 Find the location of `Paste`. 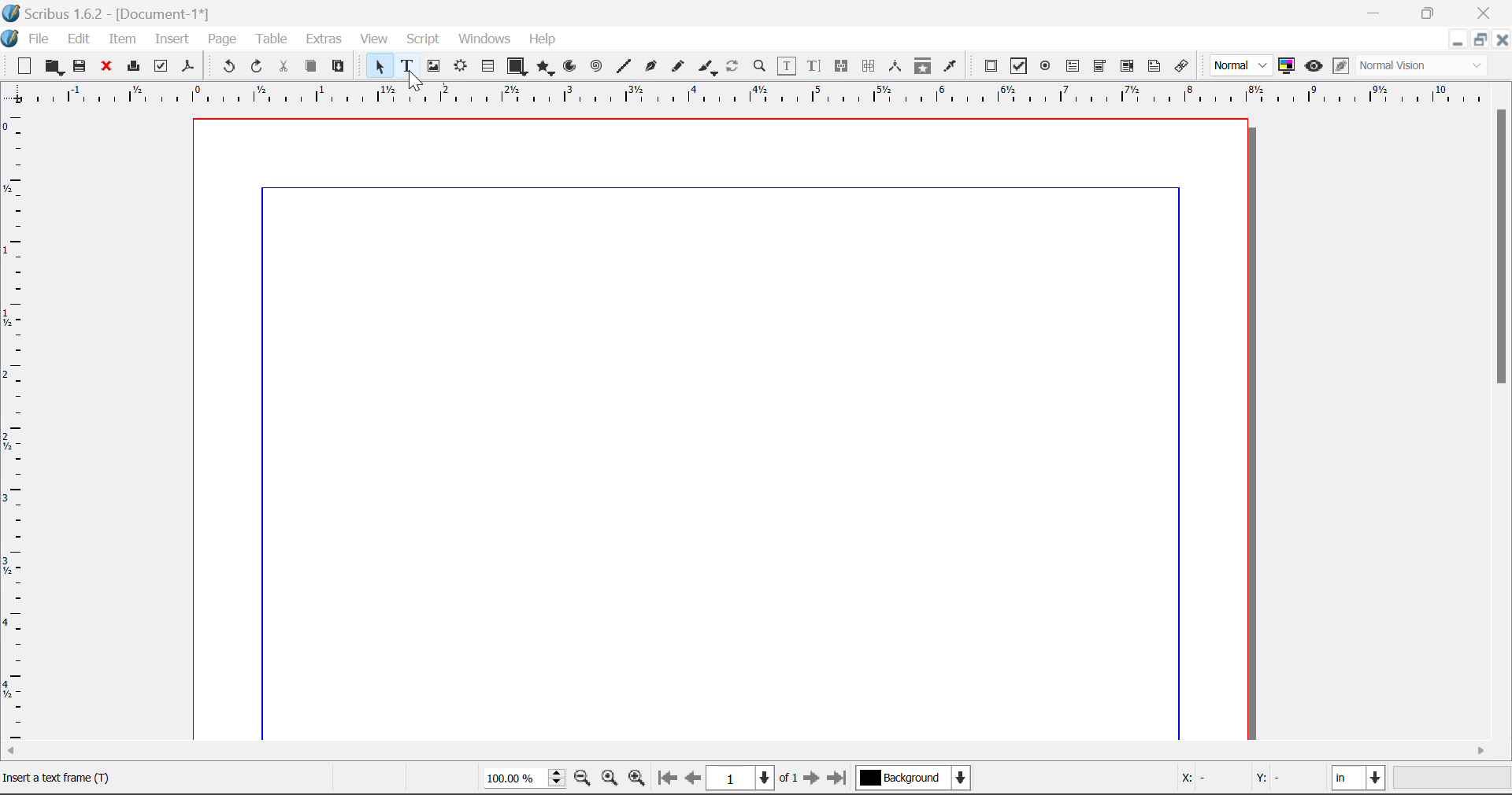

Paste is located at coordinates (339, 67).